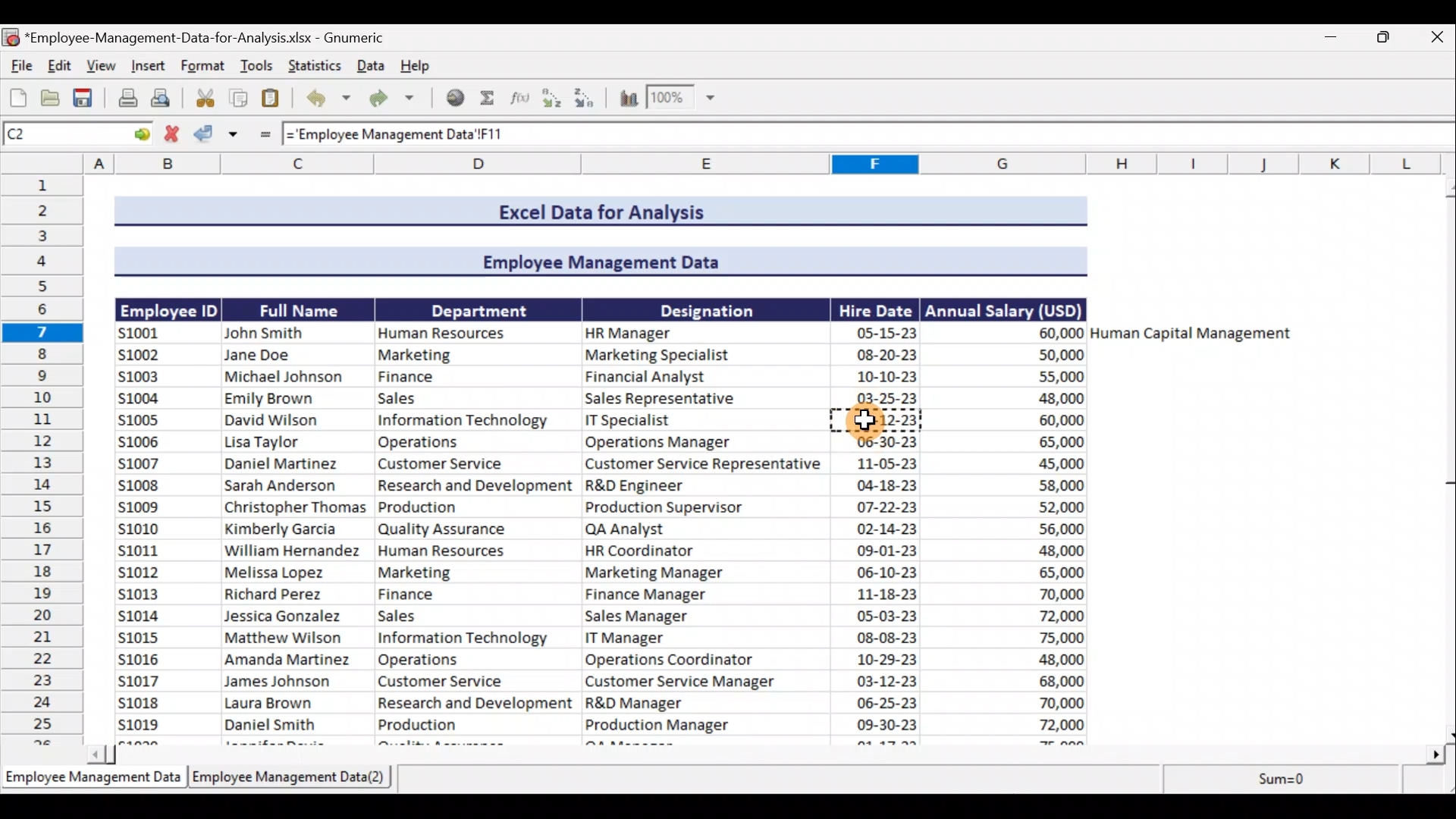  I want to click on Sum into the current cell, so click(492, 98).